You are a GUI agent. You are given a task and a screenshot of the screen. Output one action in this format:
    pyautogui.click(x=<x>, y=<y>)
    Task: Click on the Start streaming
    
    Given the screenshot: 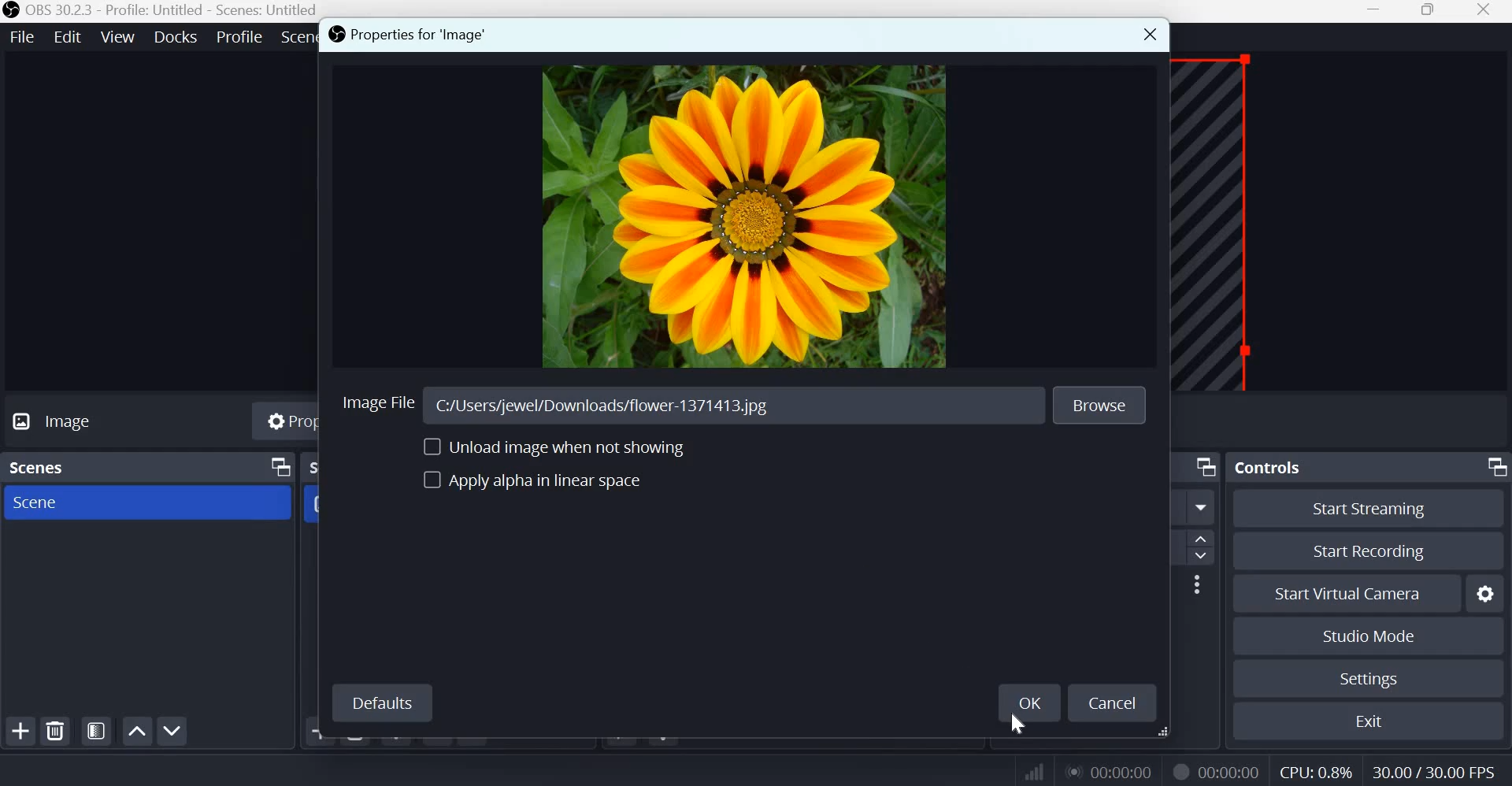 What is the action you would take?
    pyautogui.click(x=1370, y=510)
    